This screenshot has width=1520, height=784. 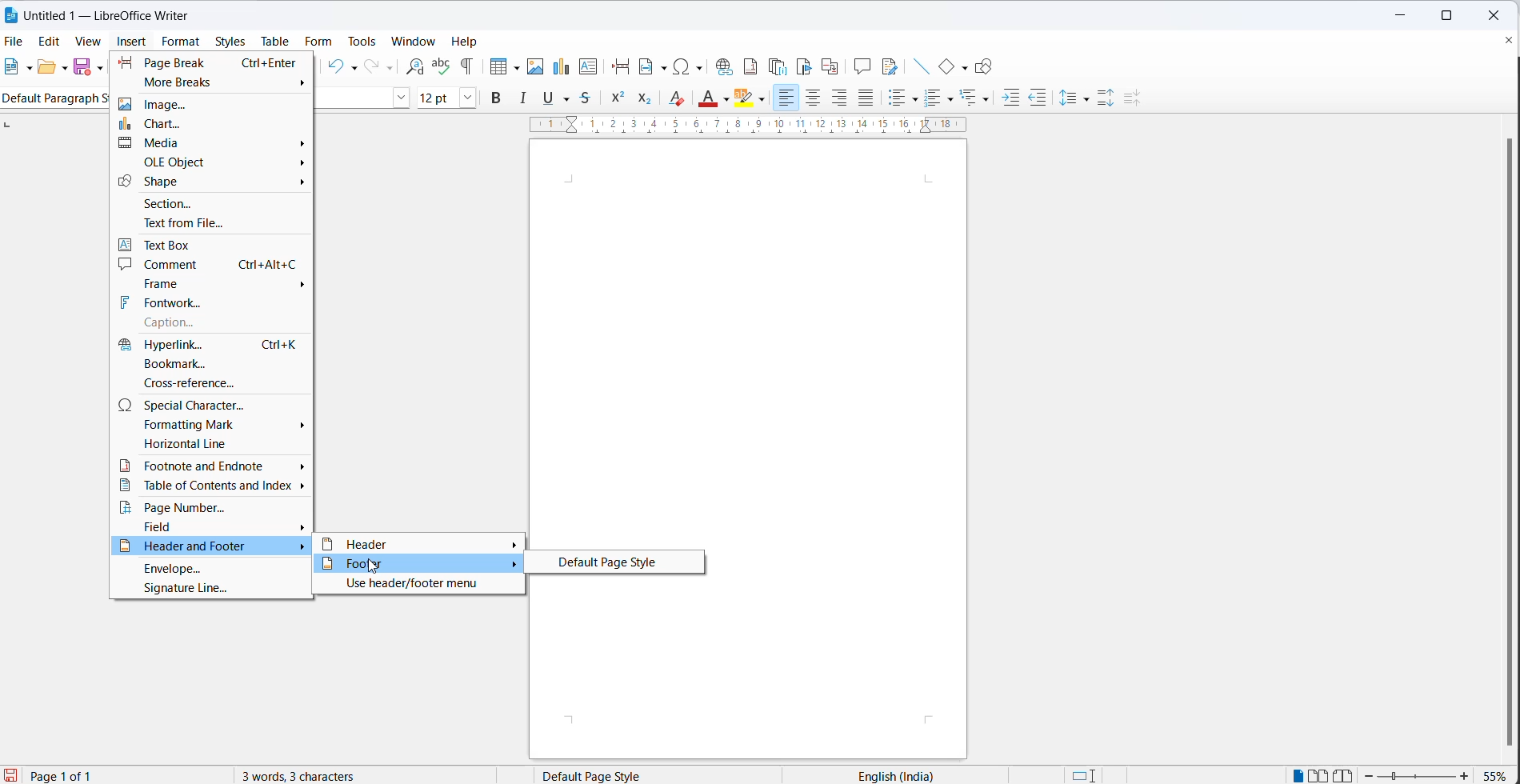 I want to click on redo, so click(x=371, y=64).